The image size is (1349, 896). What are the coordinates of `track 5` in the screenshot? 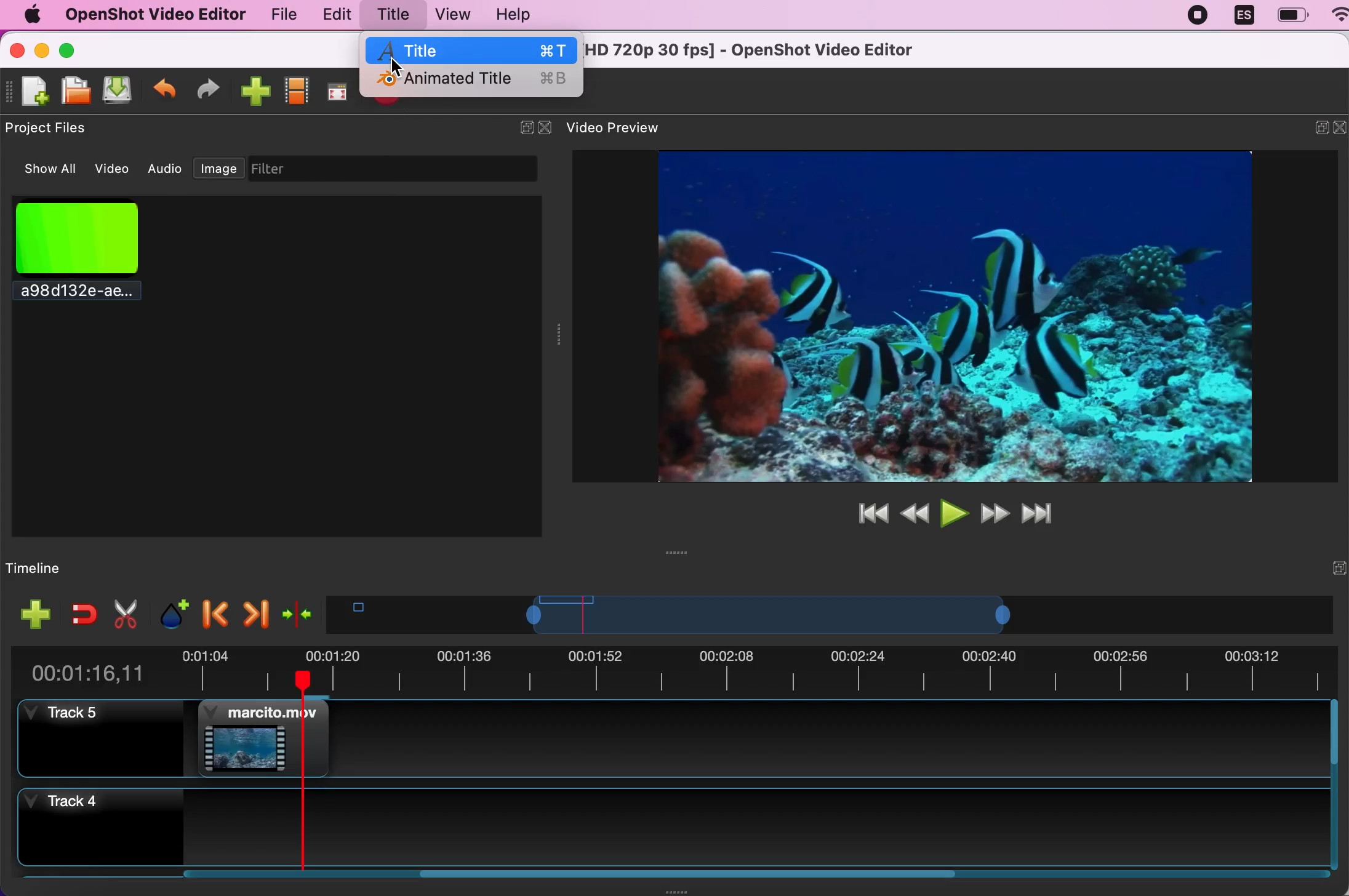 It's located at (108, 741).